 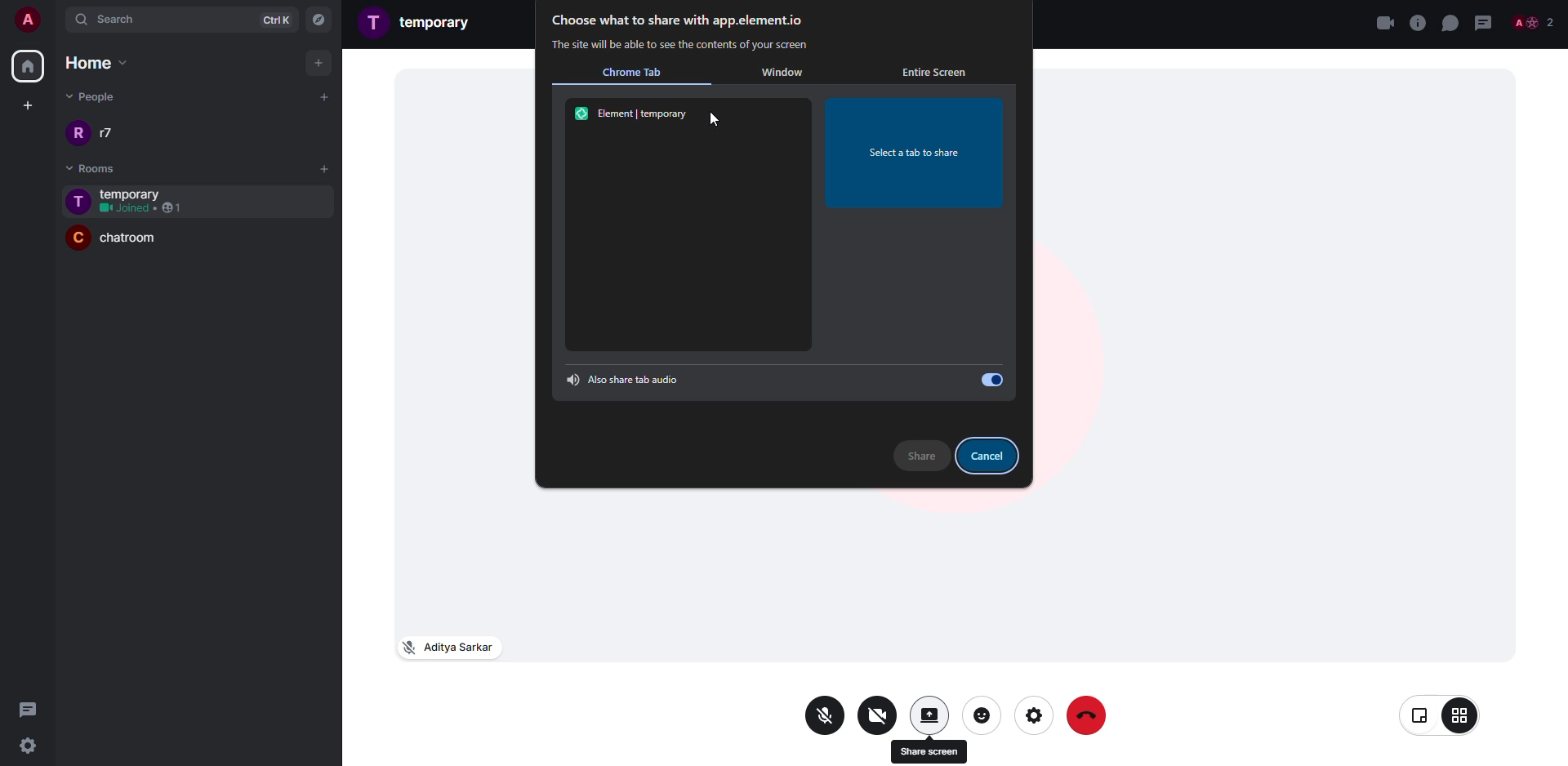 I want to click on threads, so click(x=29, y=708).